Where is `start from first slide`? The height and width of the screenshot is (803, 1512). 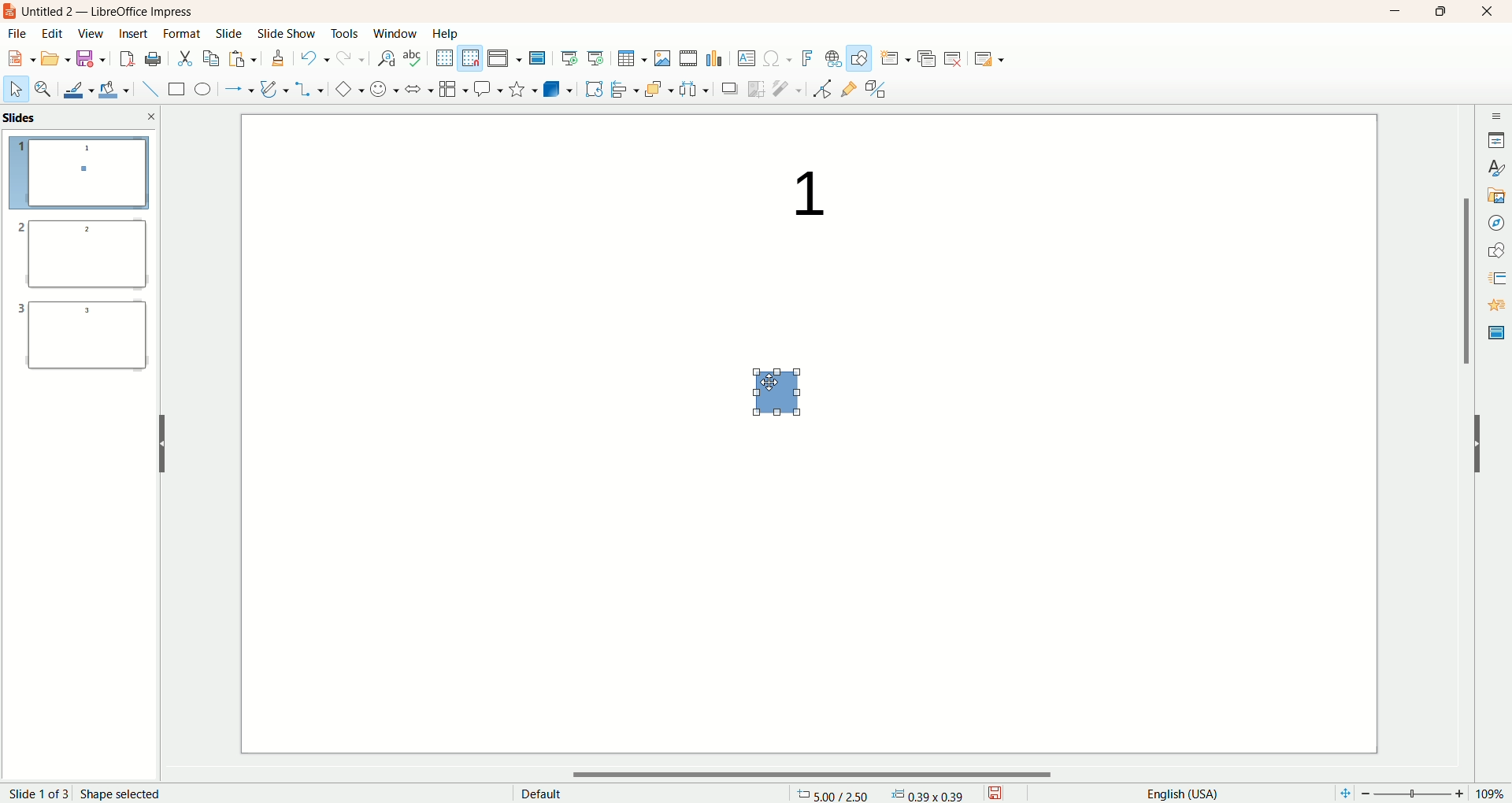 start from first slide is located at coordinates (570, 56).